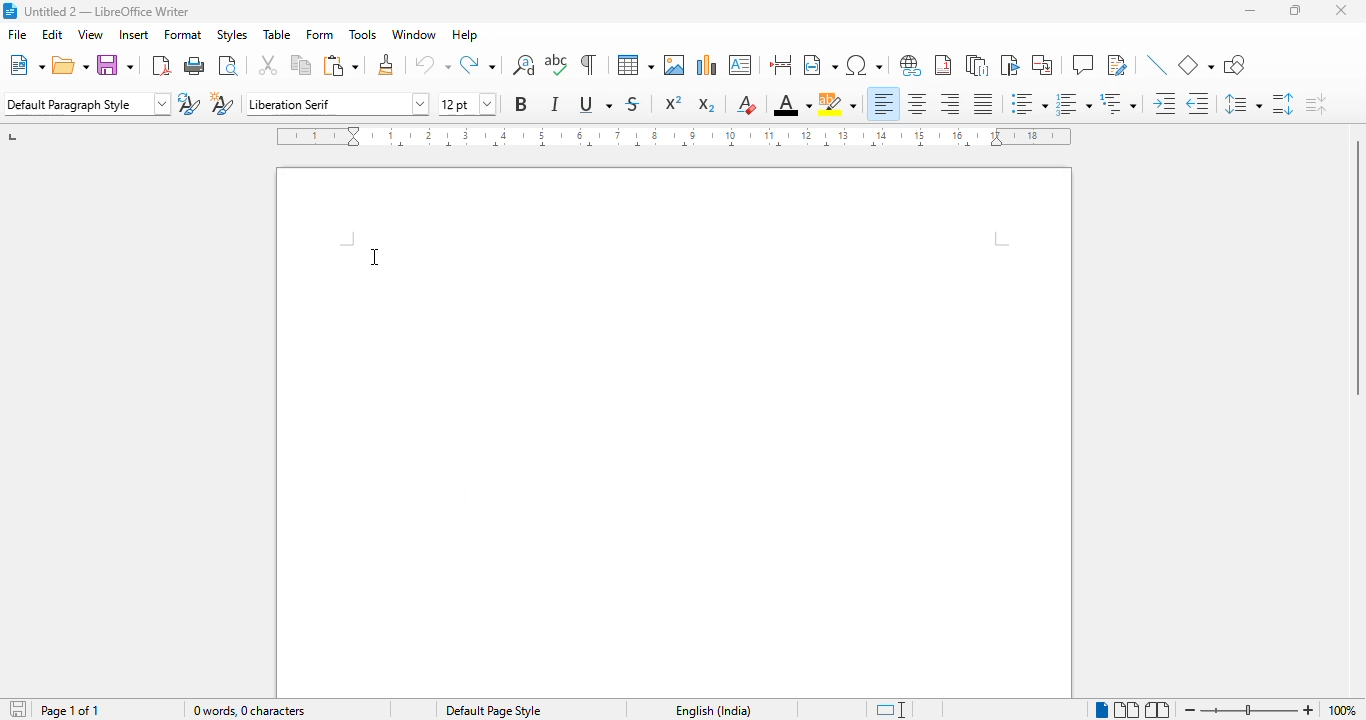 This screenshot has width=1366, height=720. I want to click on underline, so click(595, 104).